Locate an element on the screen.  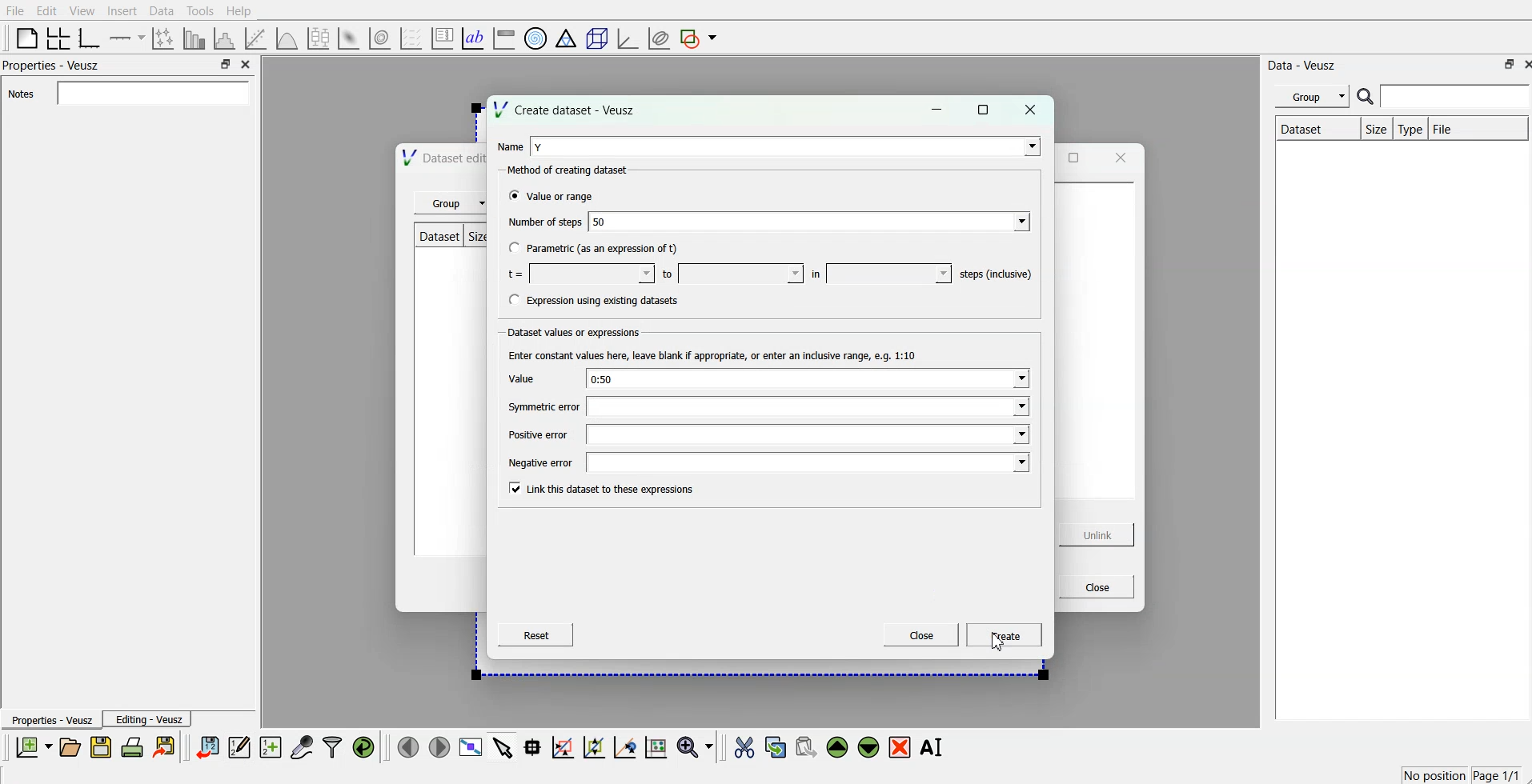
Group  is located at coordinates (1313, 96).